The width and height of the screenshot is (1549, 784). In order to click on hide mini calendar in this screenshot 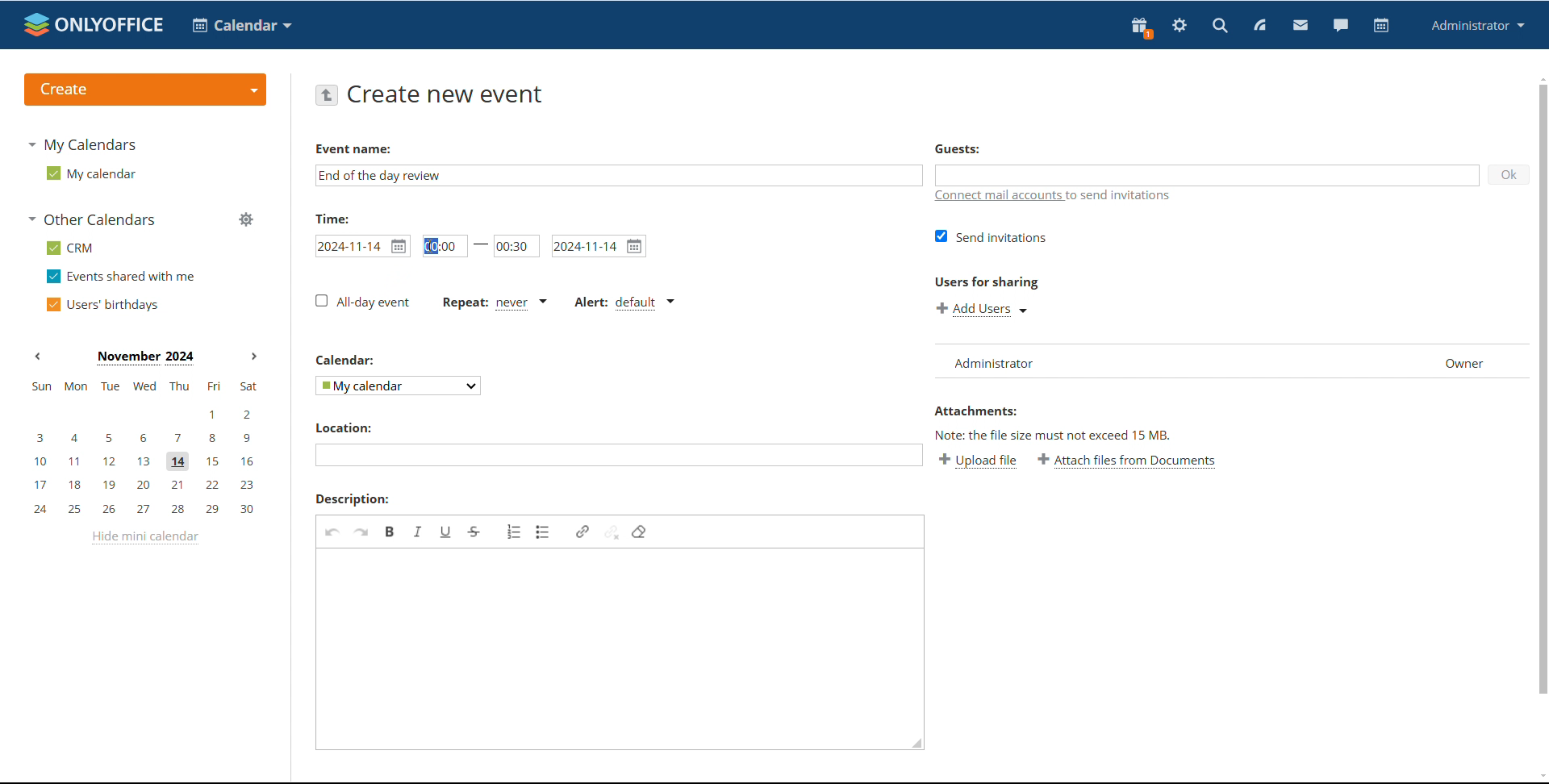, I will do `click(144, 537)`.